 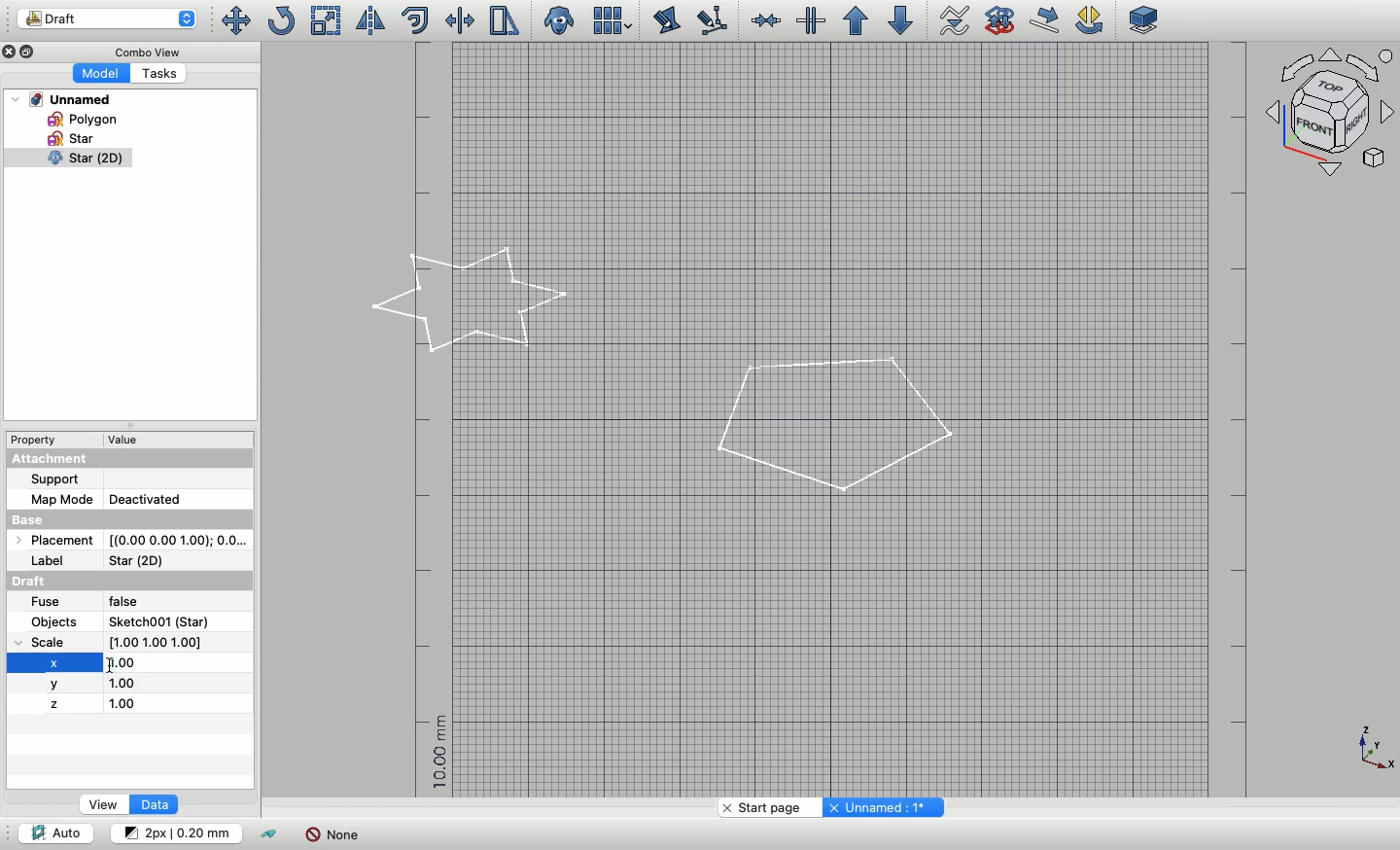 I want to click on Value, so click(x=130, y=440).